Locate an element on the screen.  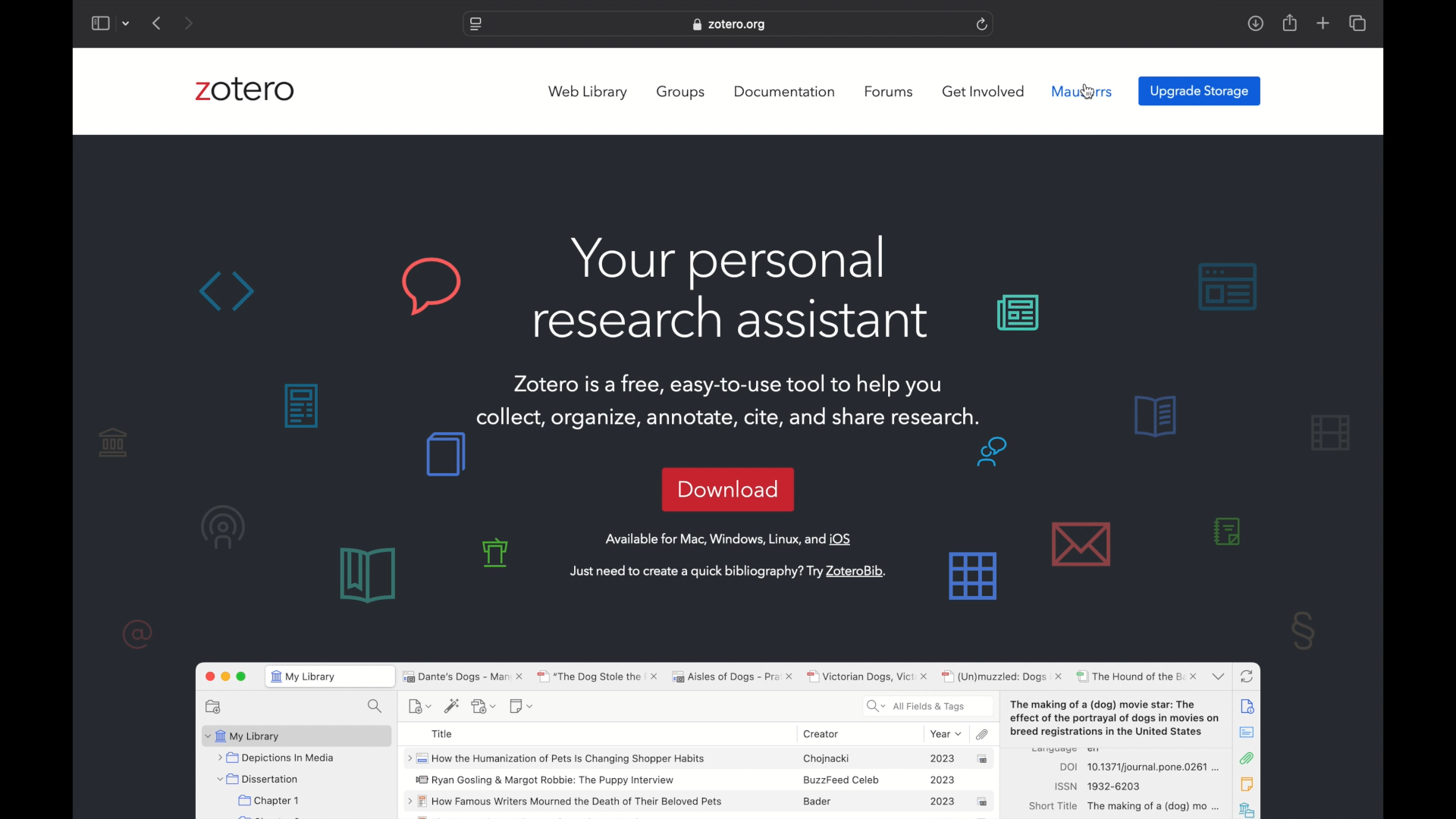
upgrade storage is located at coordinates (1200, 92).